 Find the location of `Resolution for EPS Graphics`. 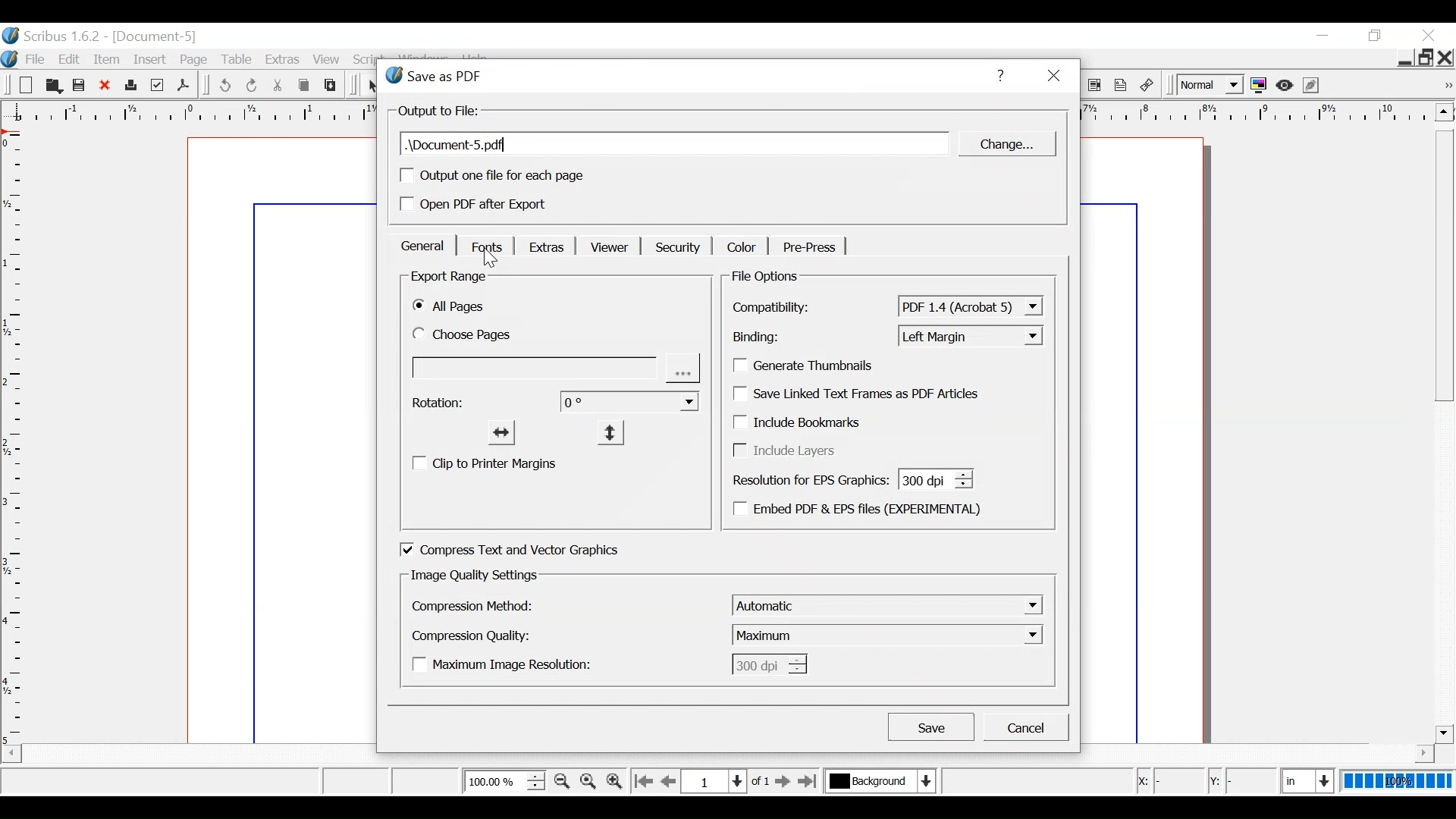

Resolution for EPS Graphics is located at coordinates (849, 478).